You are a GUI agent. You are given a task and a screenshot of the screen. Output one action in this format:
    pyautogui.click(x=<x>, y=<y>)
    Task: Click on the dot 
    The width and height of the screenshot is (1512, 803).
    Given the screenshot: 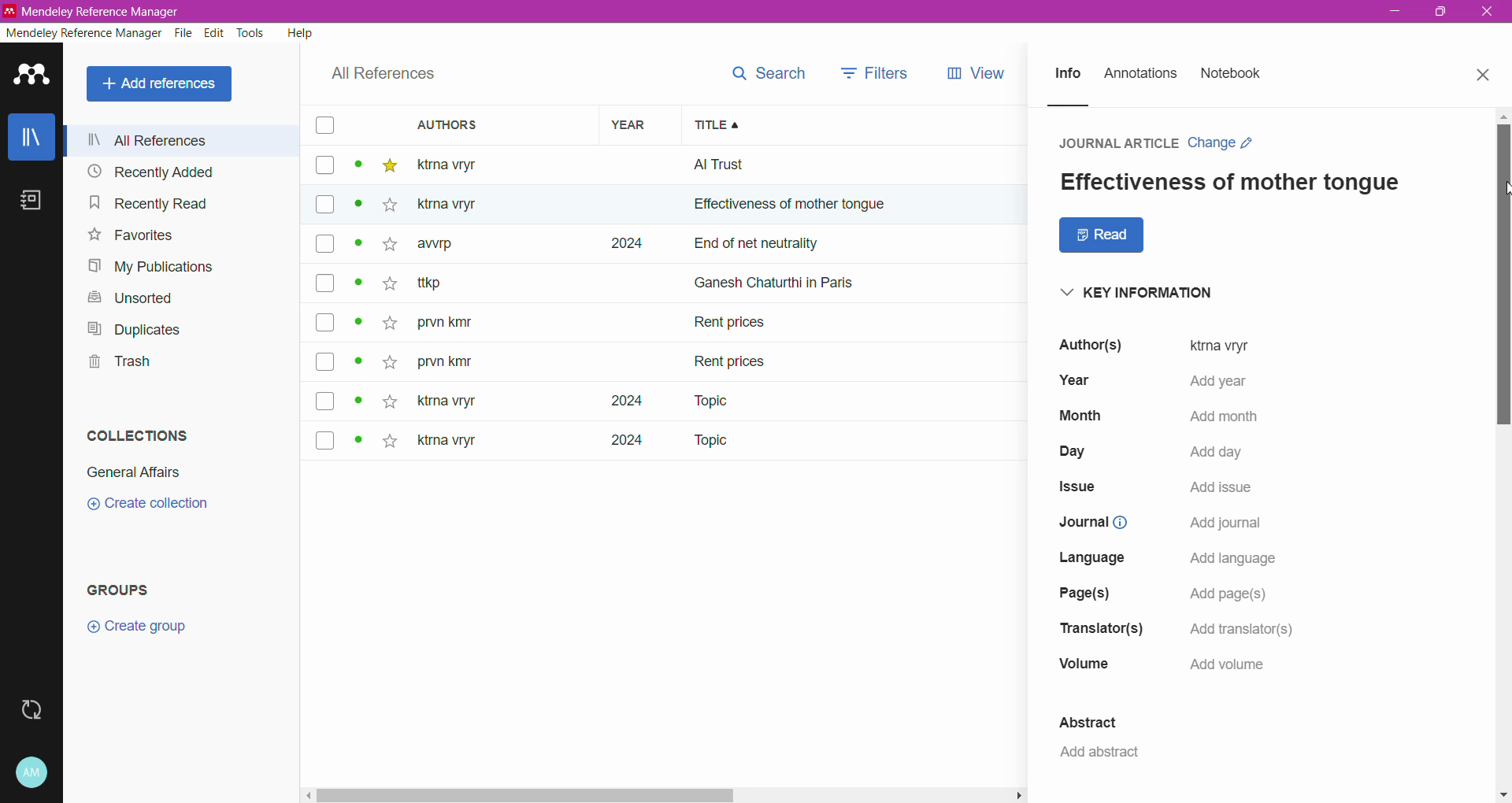 What is the action you would take?
    pyautogui.click(x=354, y=442)
    